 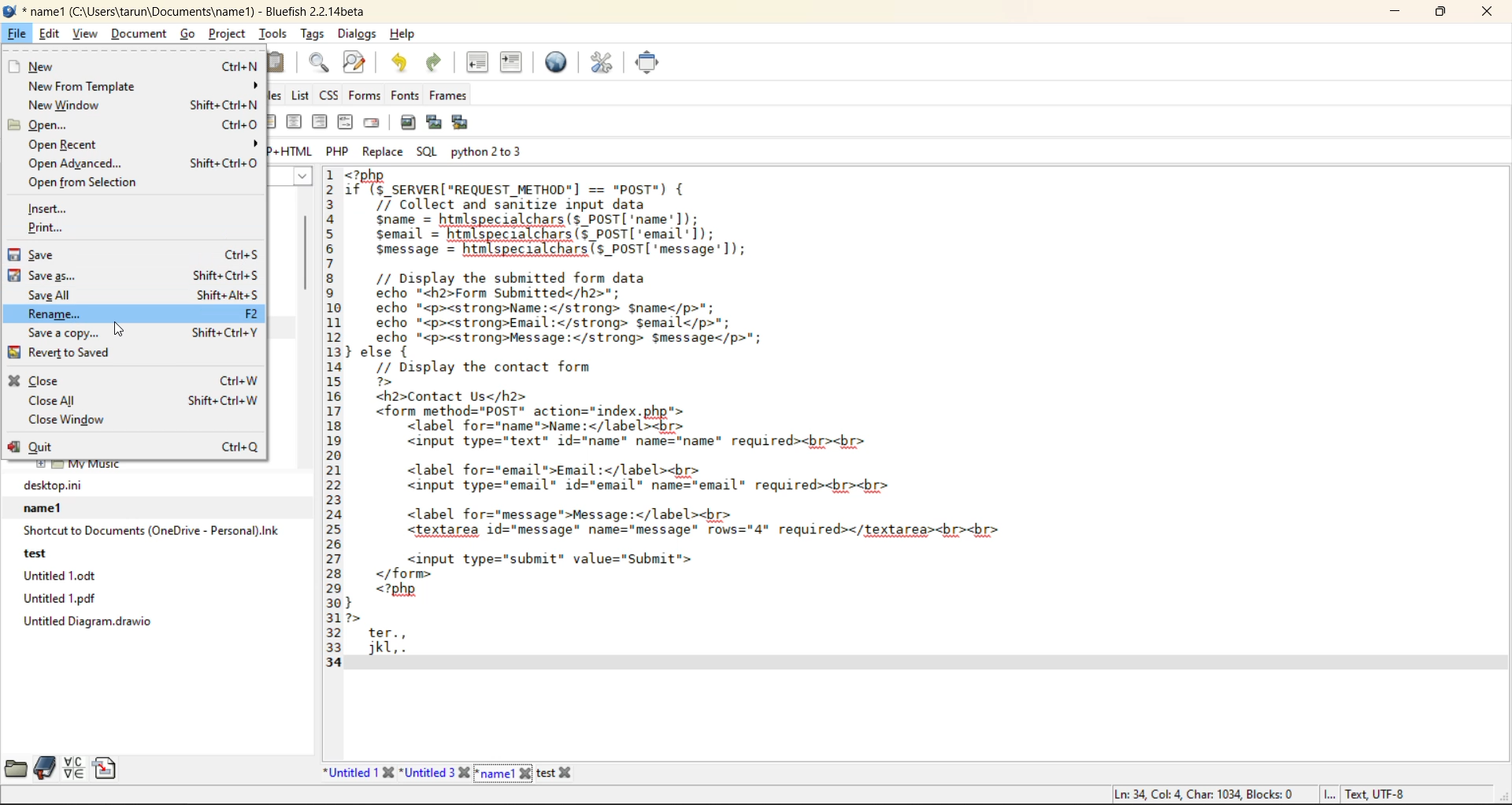 What do you see at coordinates (450, 95) in the screenshot?
I see `frames` at bounding box center [450, 95].